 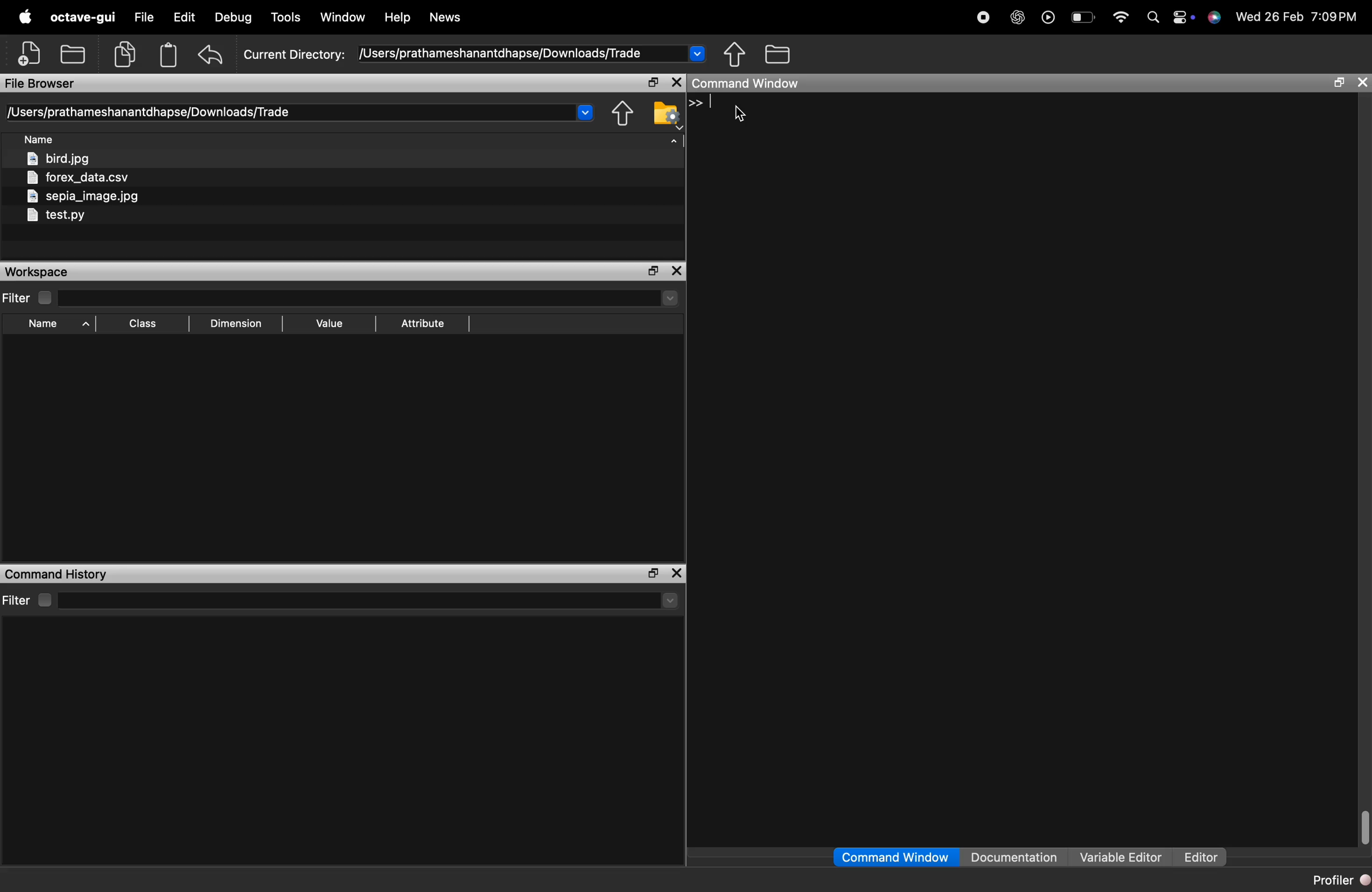 What do you see at coordinates (169, 54) in the screenshot?
I see `paste` at bounding box center [169, 54].